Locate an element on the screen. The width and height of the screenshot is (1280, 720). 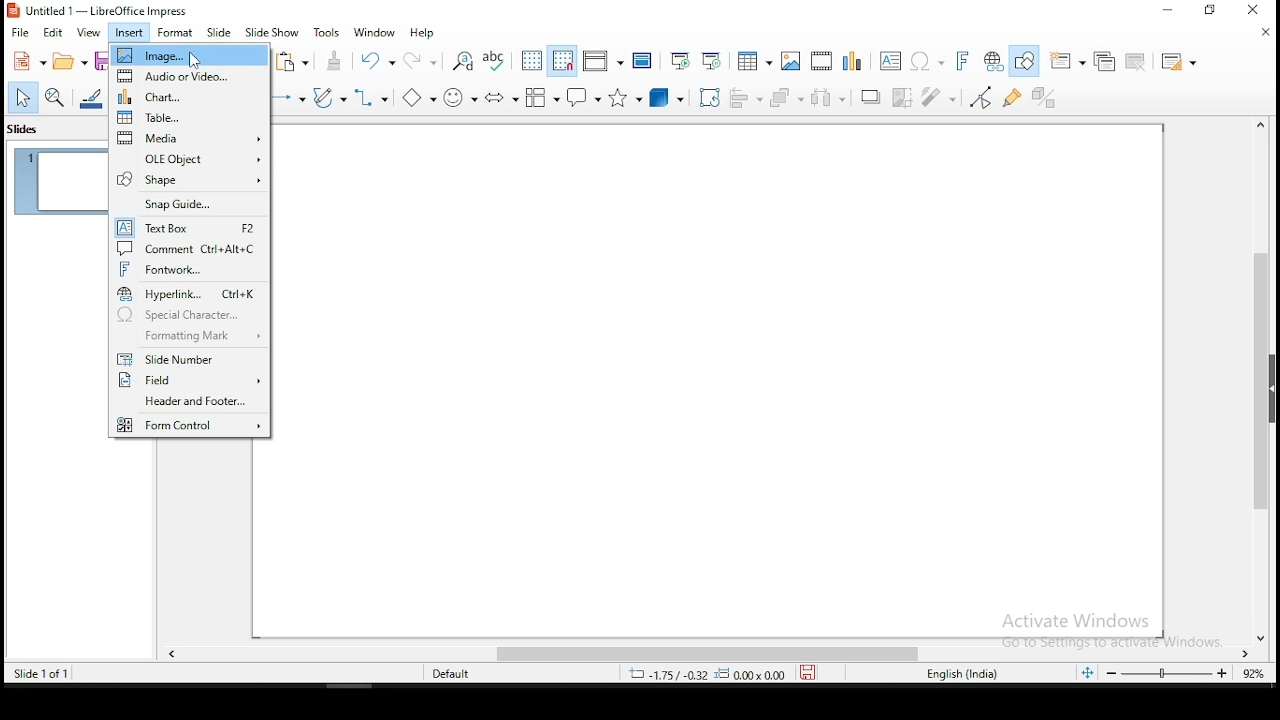
stars and banners is located at coordinates (627, 95).